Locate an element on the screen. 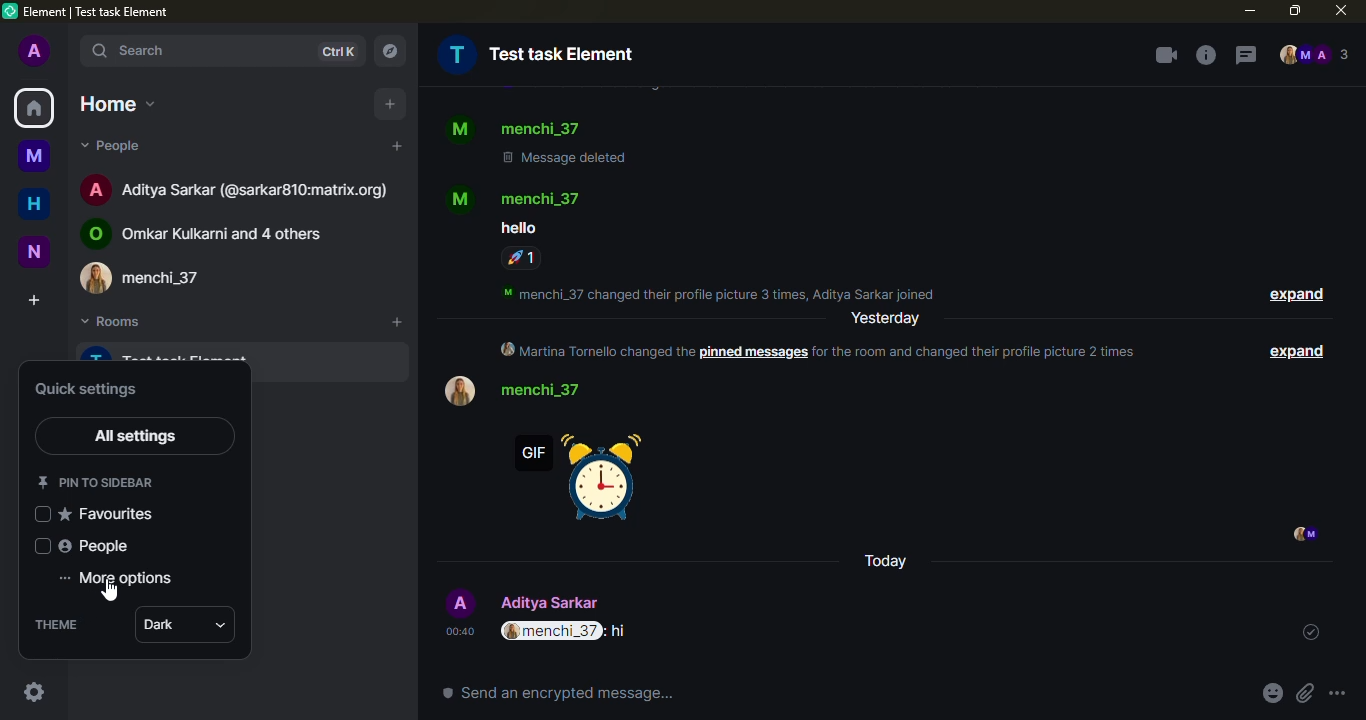 The image size is (1366, 720). hi is located at coordinates (622, 632).